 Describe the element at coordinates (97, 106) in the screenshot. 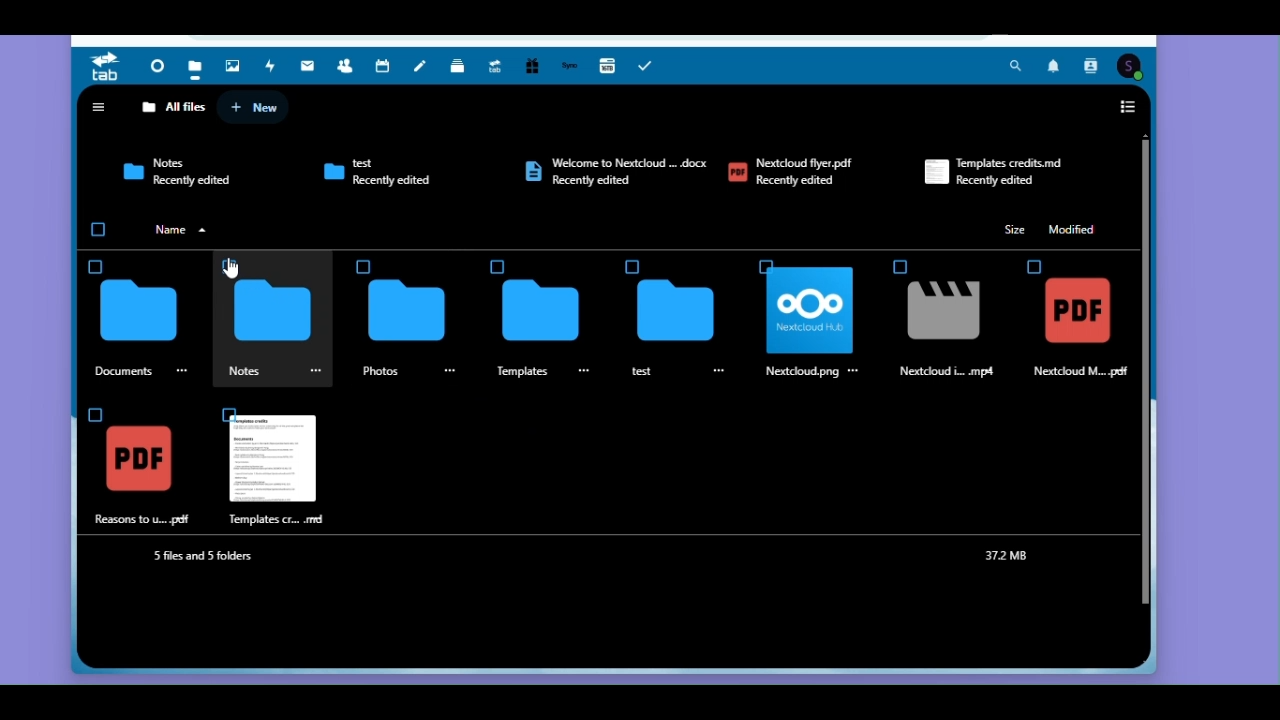

I see `Open navigation` at that location.